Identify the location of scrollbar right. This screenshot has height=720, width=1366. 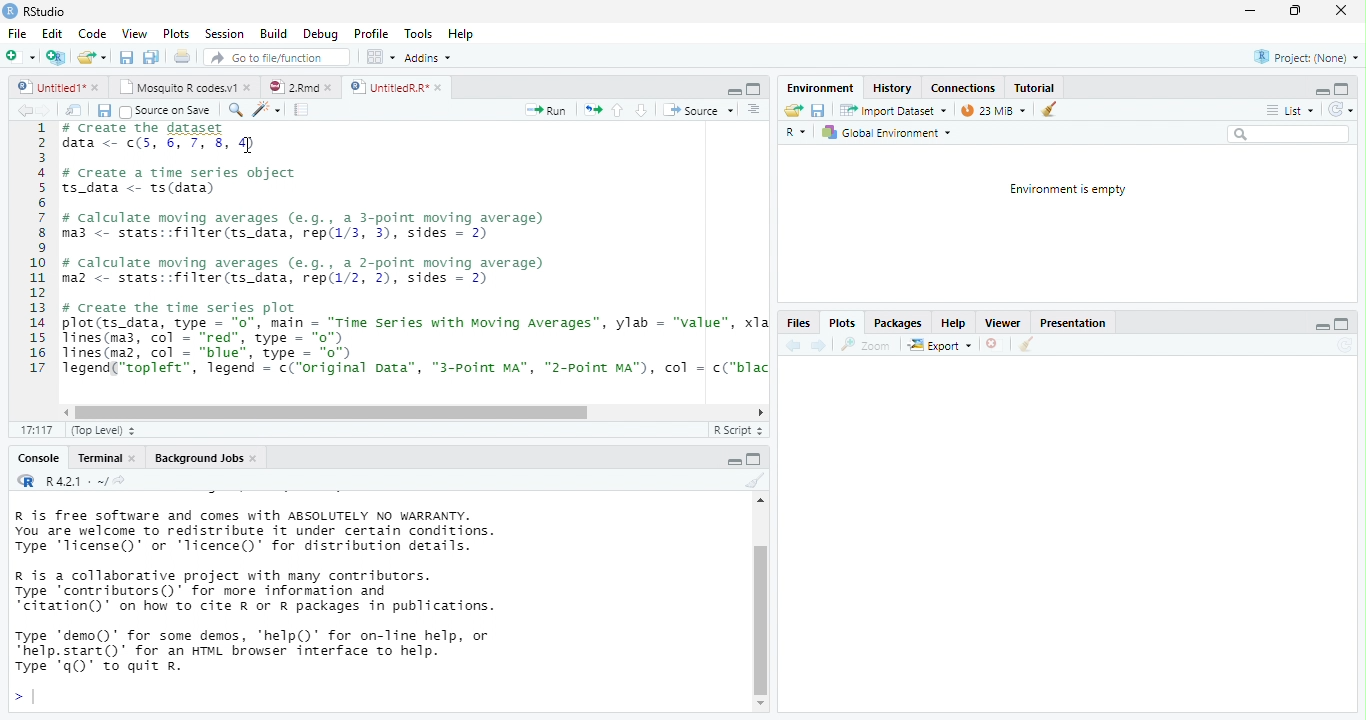
(758, 413).